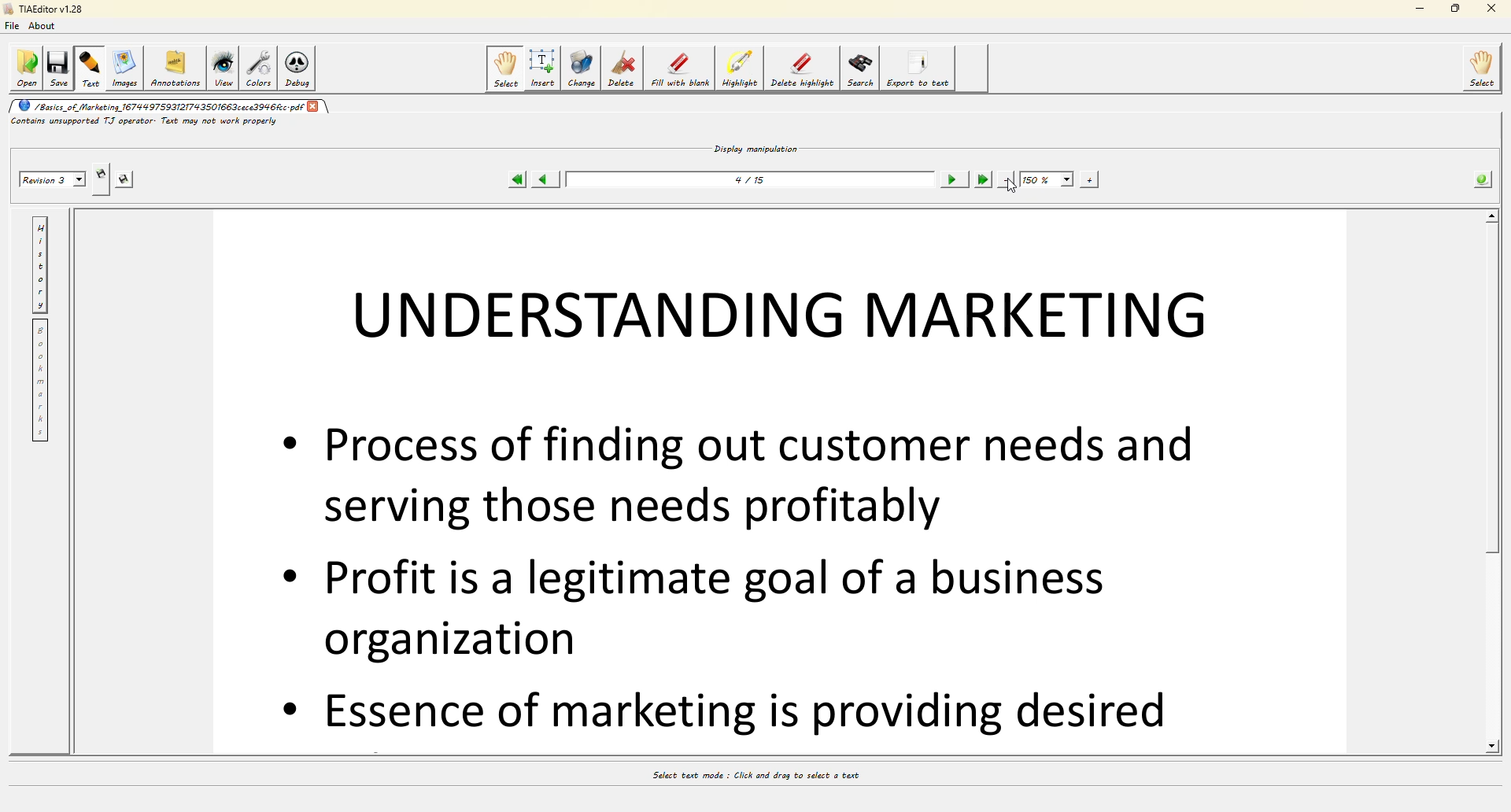 The width and height of the screenshot is (1511, 812). Describe the element at coordinates (767, 777) in the screenshot. I see `select text` at that location.